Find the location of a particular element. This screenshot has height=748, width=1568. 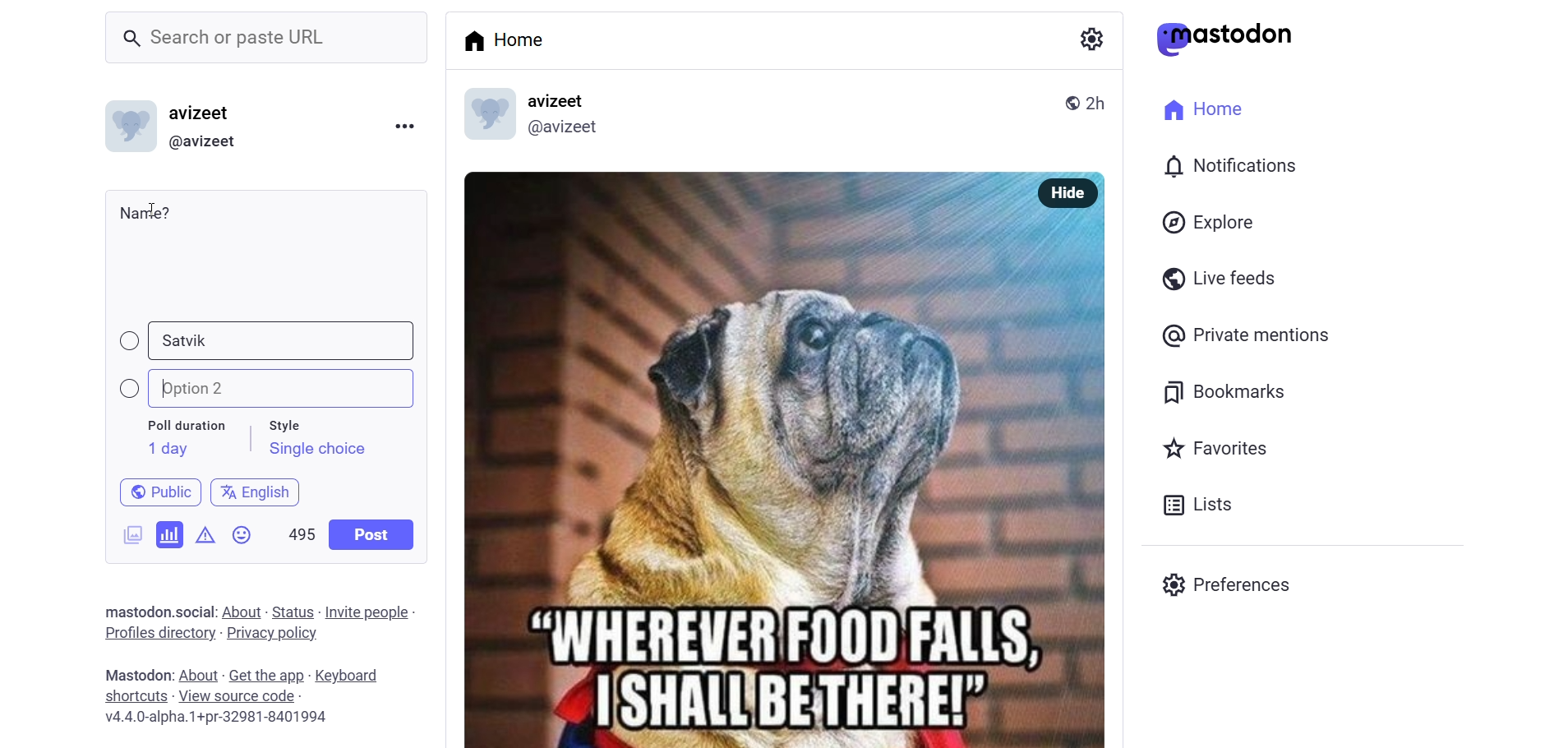

style is located at coordinates (293, 422).